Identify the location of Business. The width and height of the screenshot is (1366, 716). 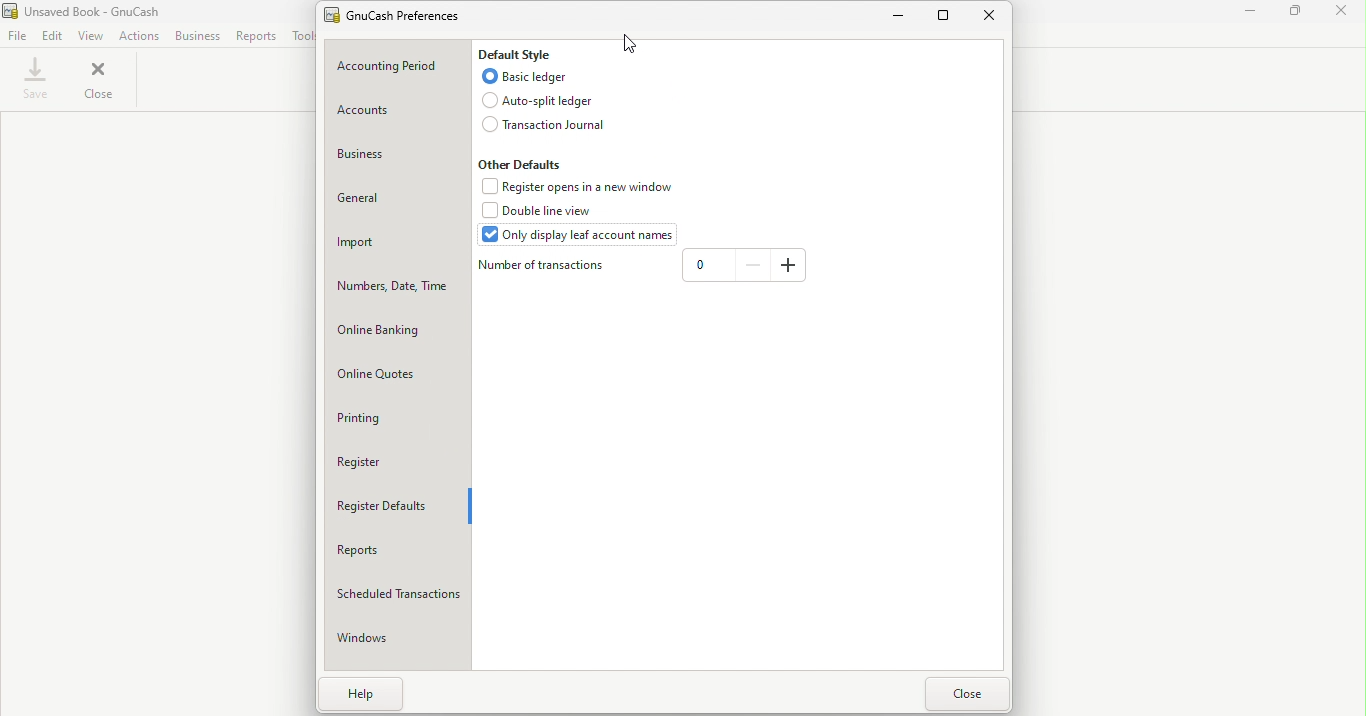
(402, 157).